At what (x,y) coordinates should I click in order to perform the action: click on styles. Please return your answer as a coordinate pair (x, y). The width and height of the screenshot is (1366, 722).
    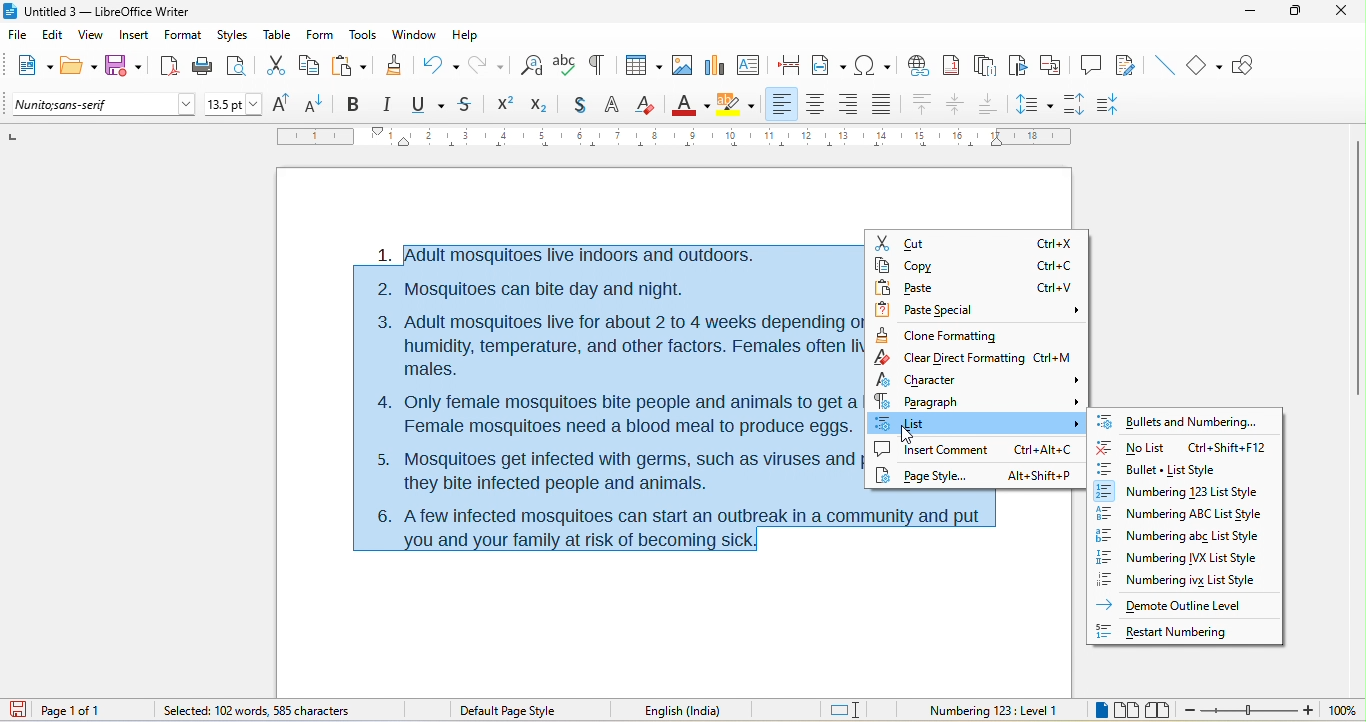
    Looking at the image, I should click on (232, 35).